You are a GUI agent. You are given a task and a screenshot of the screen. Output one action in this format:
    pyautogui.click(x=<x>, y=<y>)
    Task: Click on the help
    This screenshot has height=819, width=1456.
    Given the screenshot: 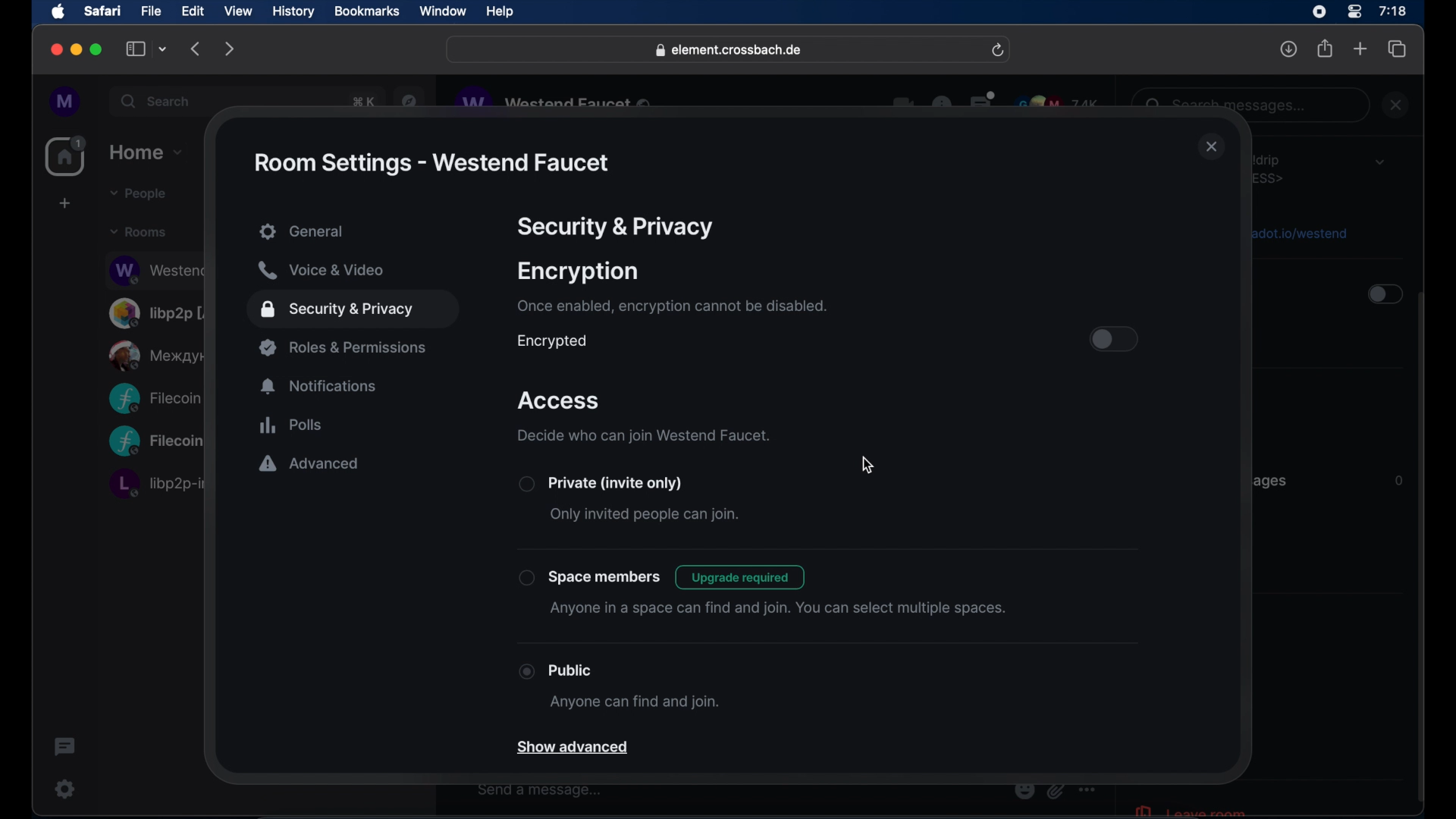 What is the action you would take?
    pyautogui.click(x=500, y=12)
    